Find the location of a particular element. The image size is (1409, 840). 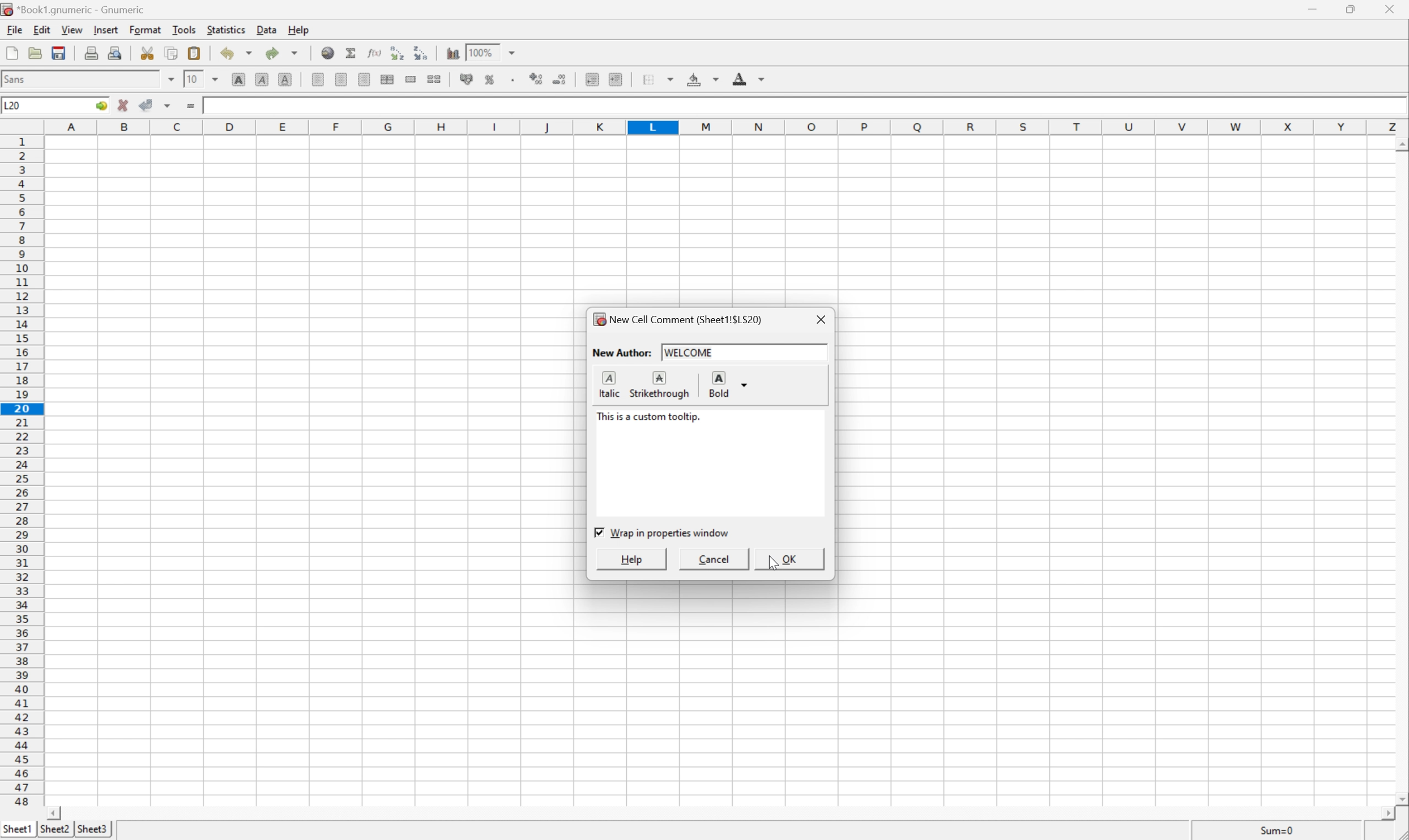

Italic is located at coordinates (261, 79).